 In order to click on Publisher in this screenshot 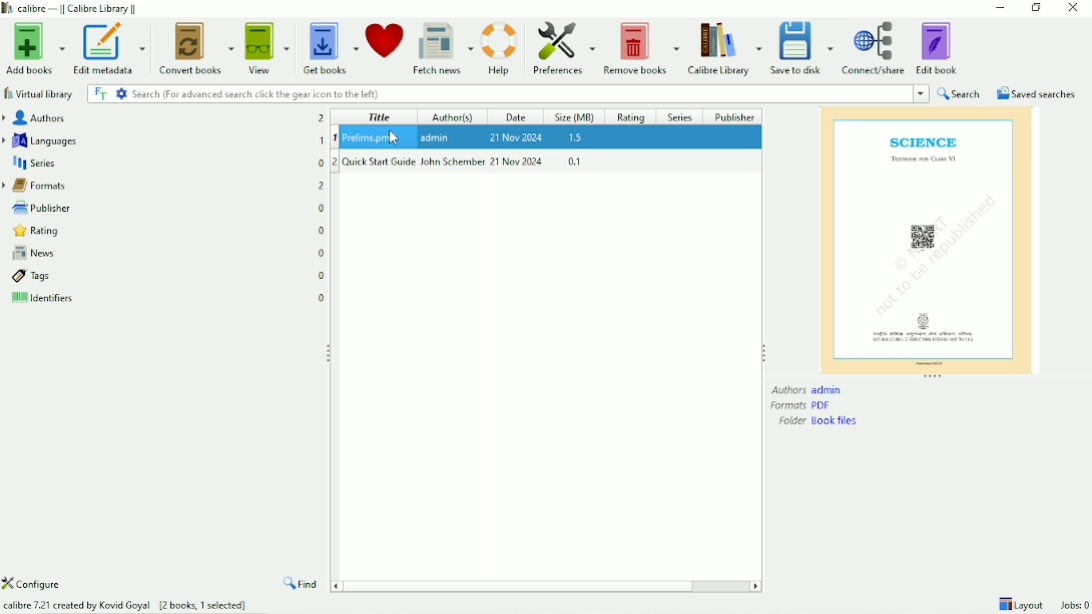, I will do `click(735, 116)`.